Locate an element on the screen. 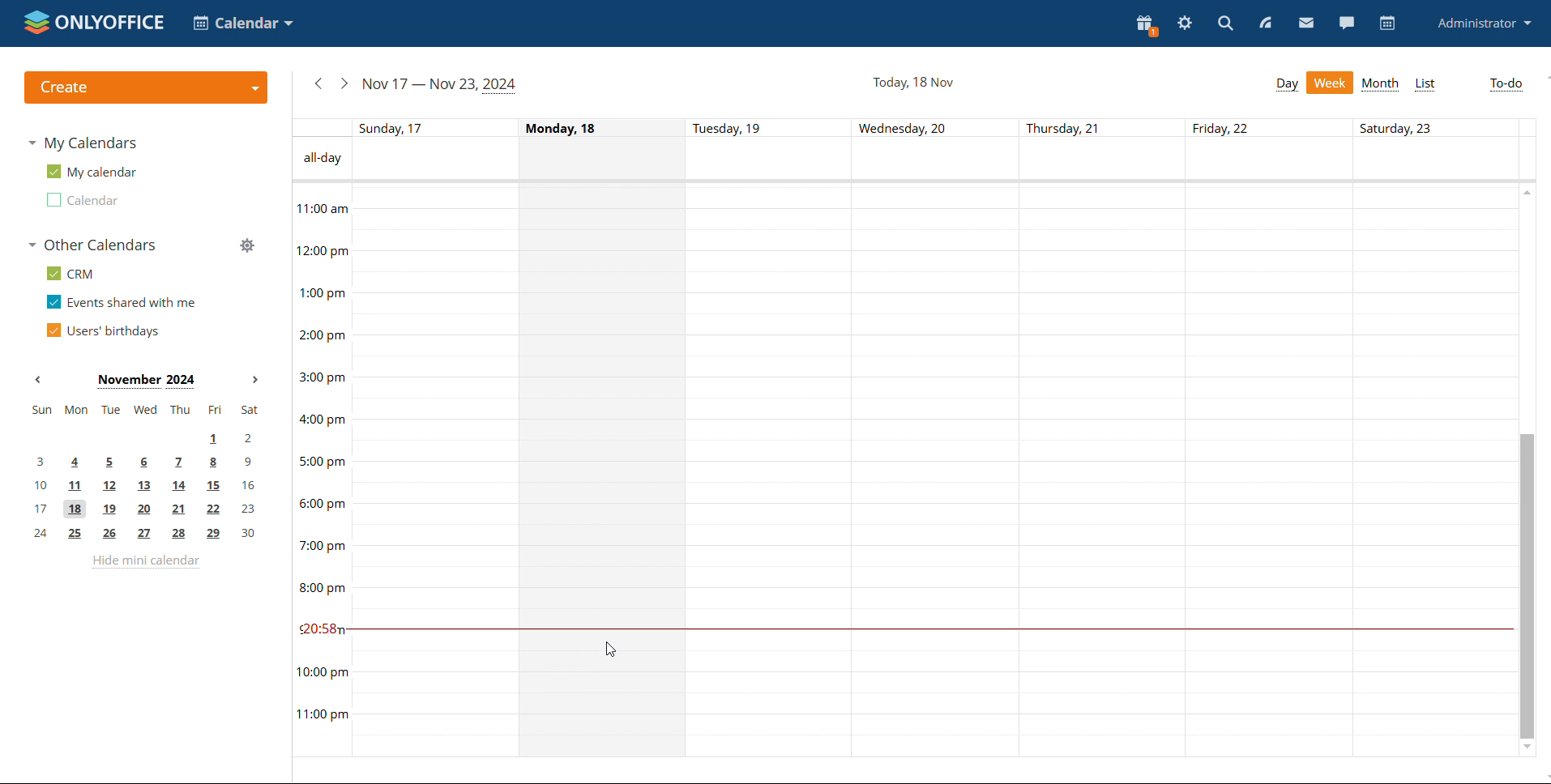 Image resolution: width=1551 pixels, height=784 pixels. Friday is located at coordinates (1270, 471).